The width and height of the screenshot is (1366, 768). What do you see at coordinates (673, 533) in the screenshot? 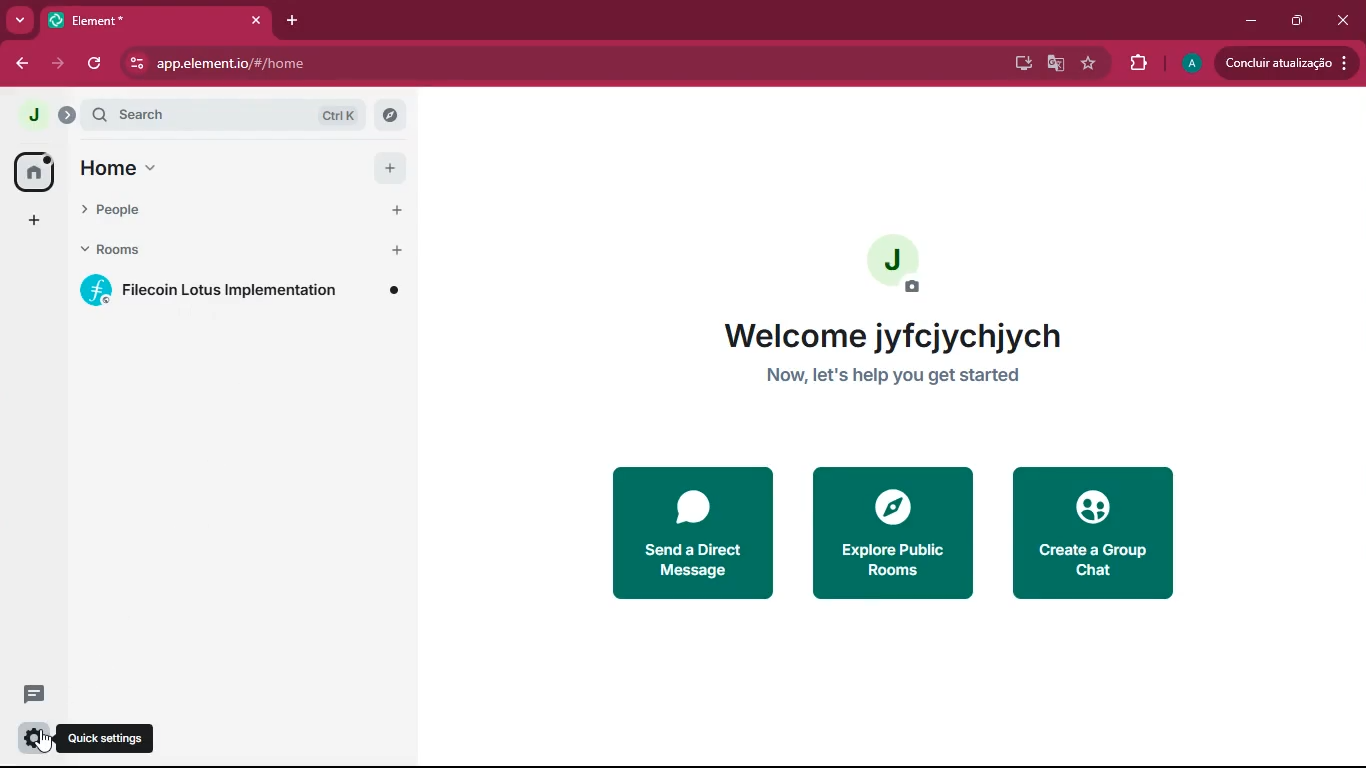
I see `send ` at bounding box center [673, 533].